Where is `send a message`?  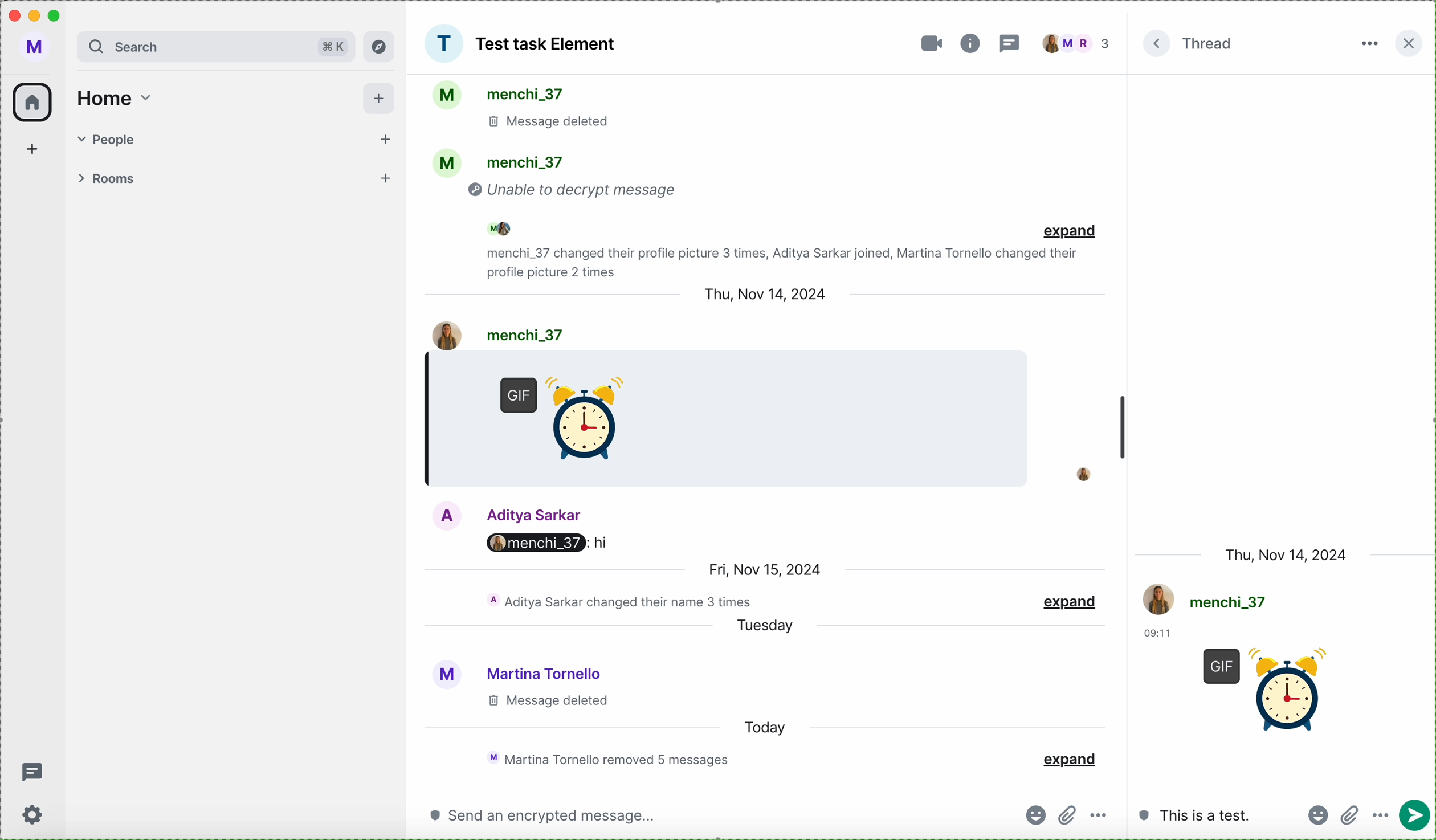 send a message is located at coordinates (542, 814).